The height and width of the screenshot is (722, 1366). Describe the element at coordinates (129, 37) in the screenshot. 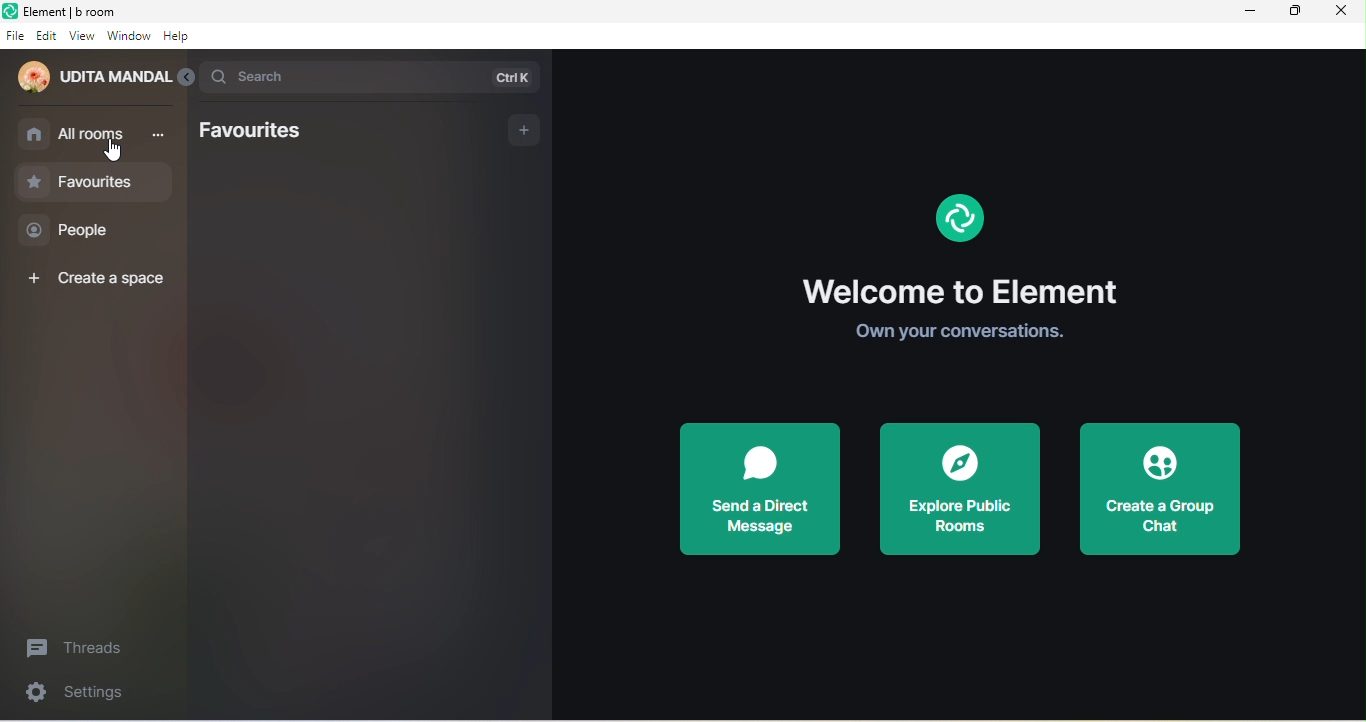

I see `window` at that location.